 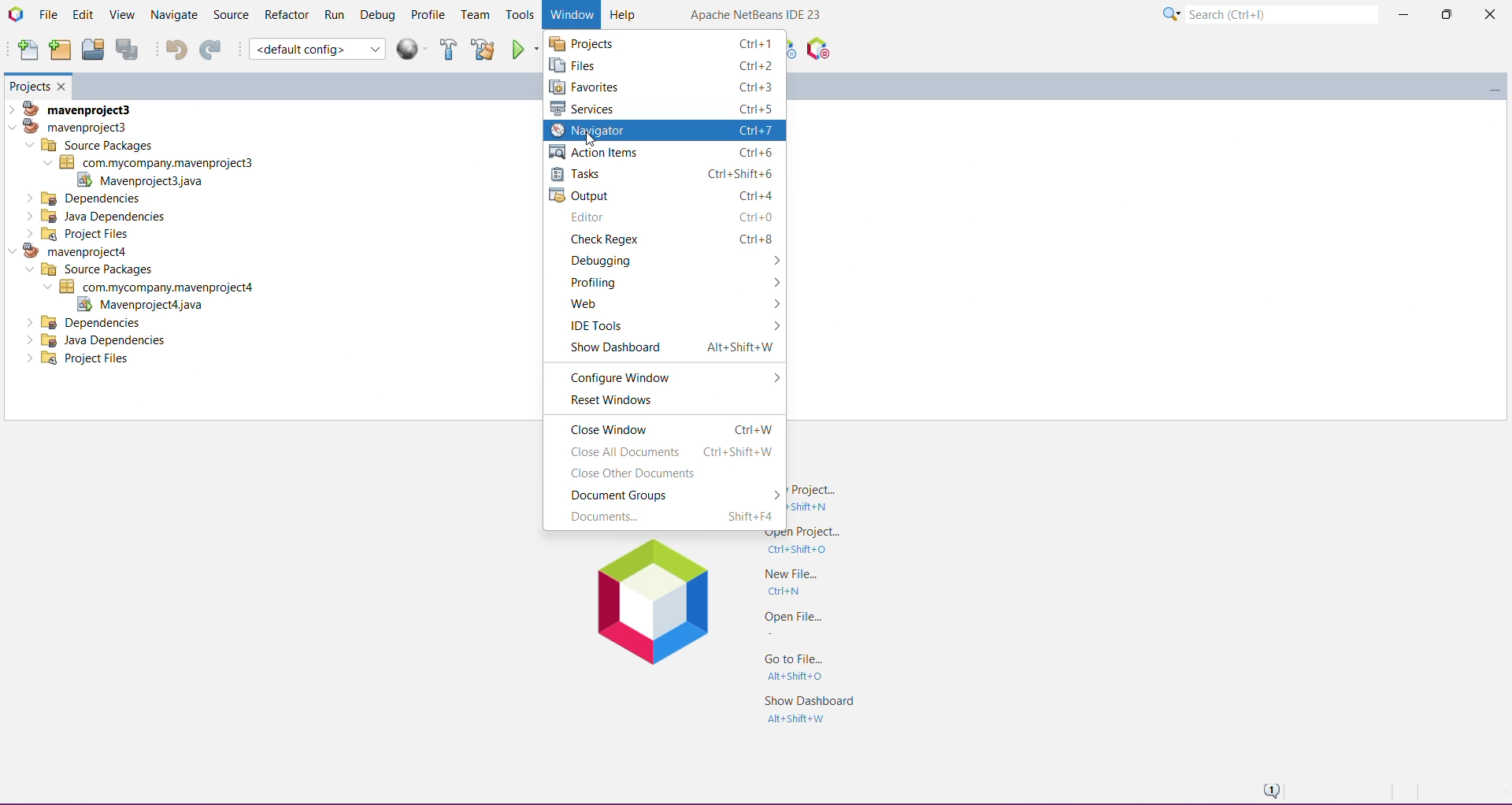 What do you see at coordinates (449, 49) in the screenshot?
I see `Build Project` at bounding box center [449, 49].